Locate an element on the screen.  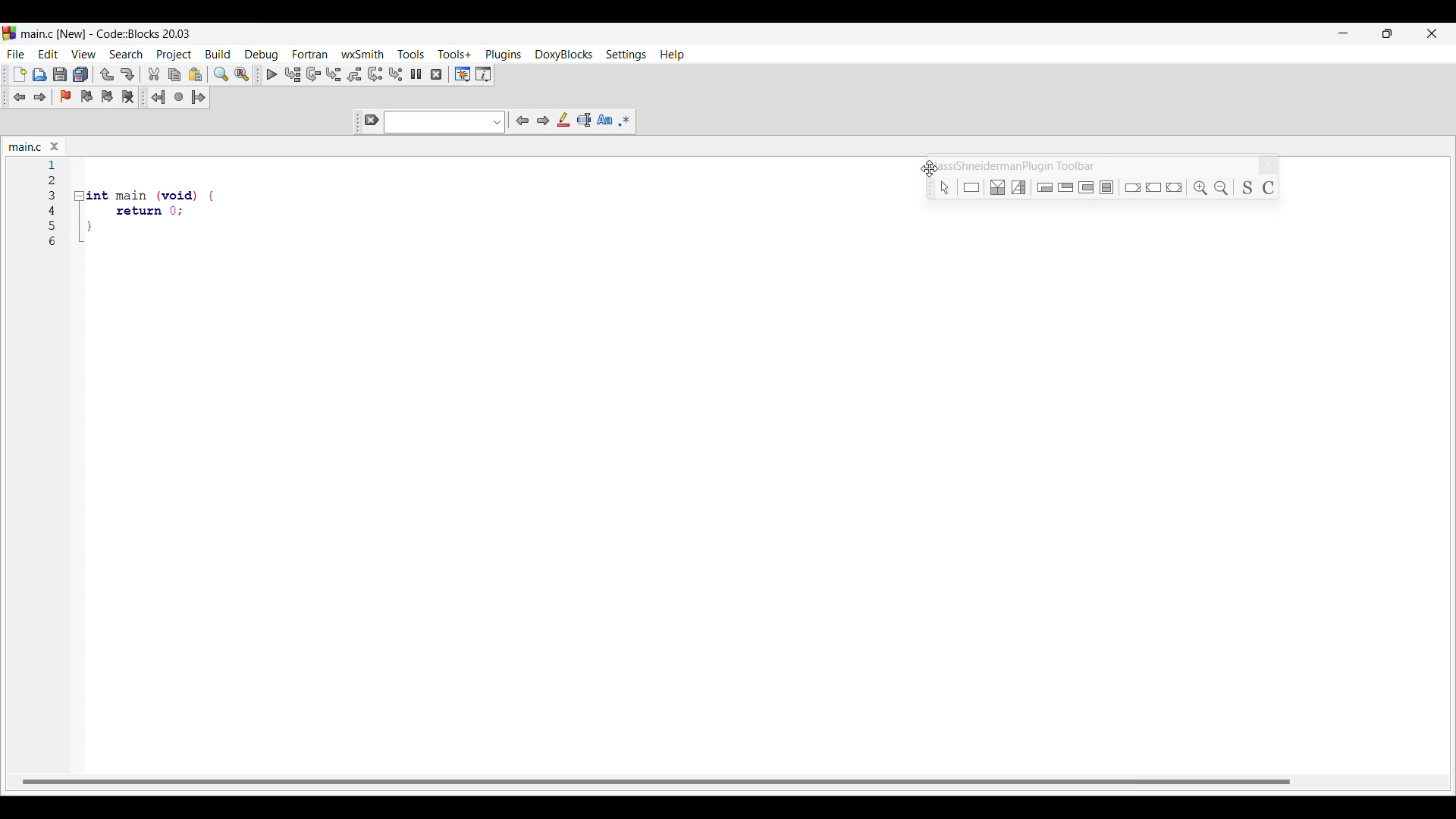
Run to cursor is located at coordinates (293, 75).